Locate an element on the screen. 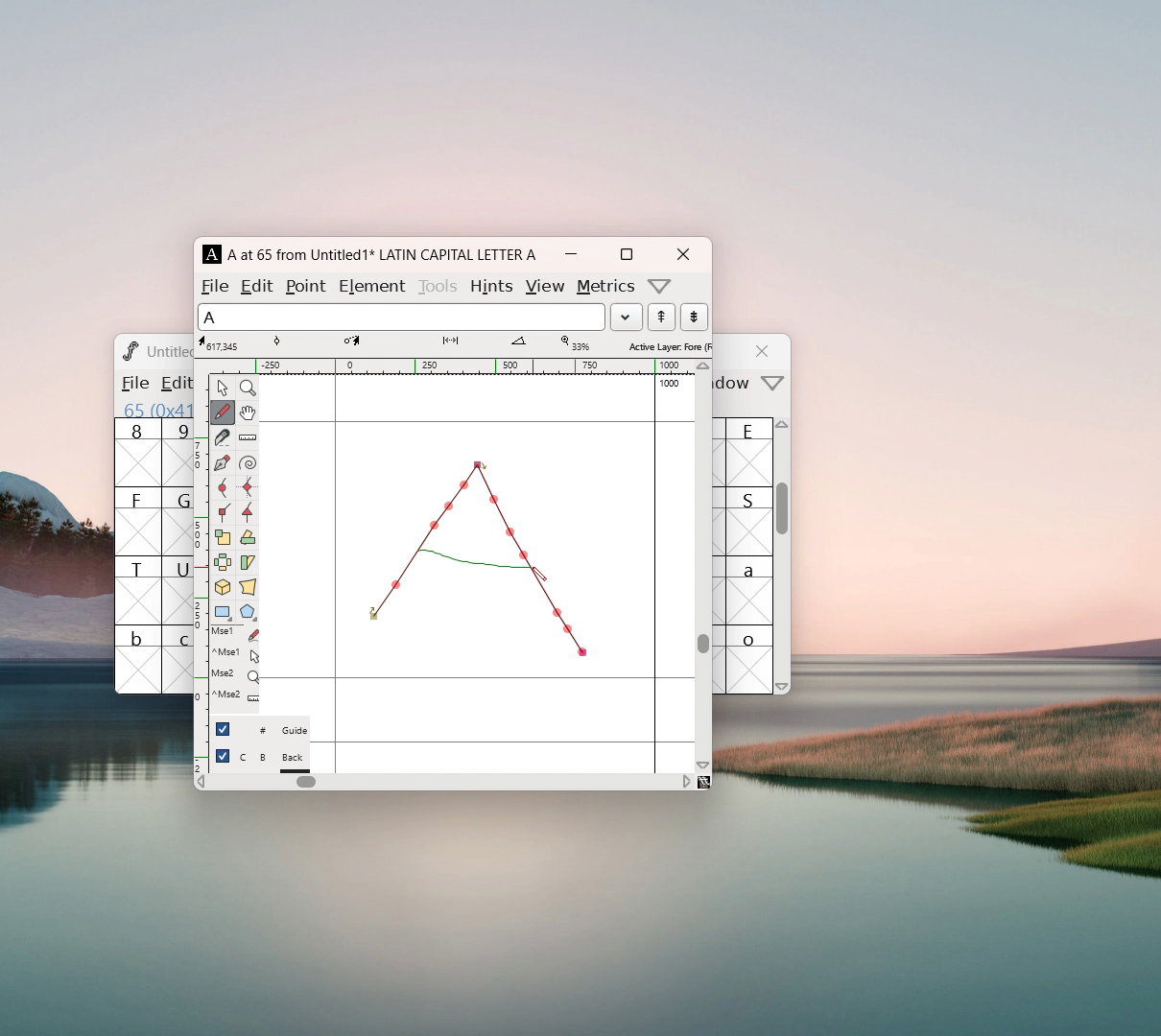  vertical ruler is located at coordinates (201, 572).